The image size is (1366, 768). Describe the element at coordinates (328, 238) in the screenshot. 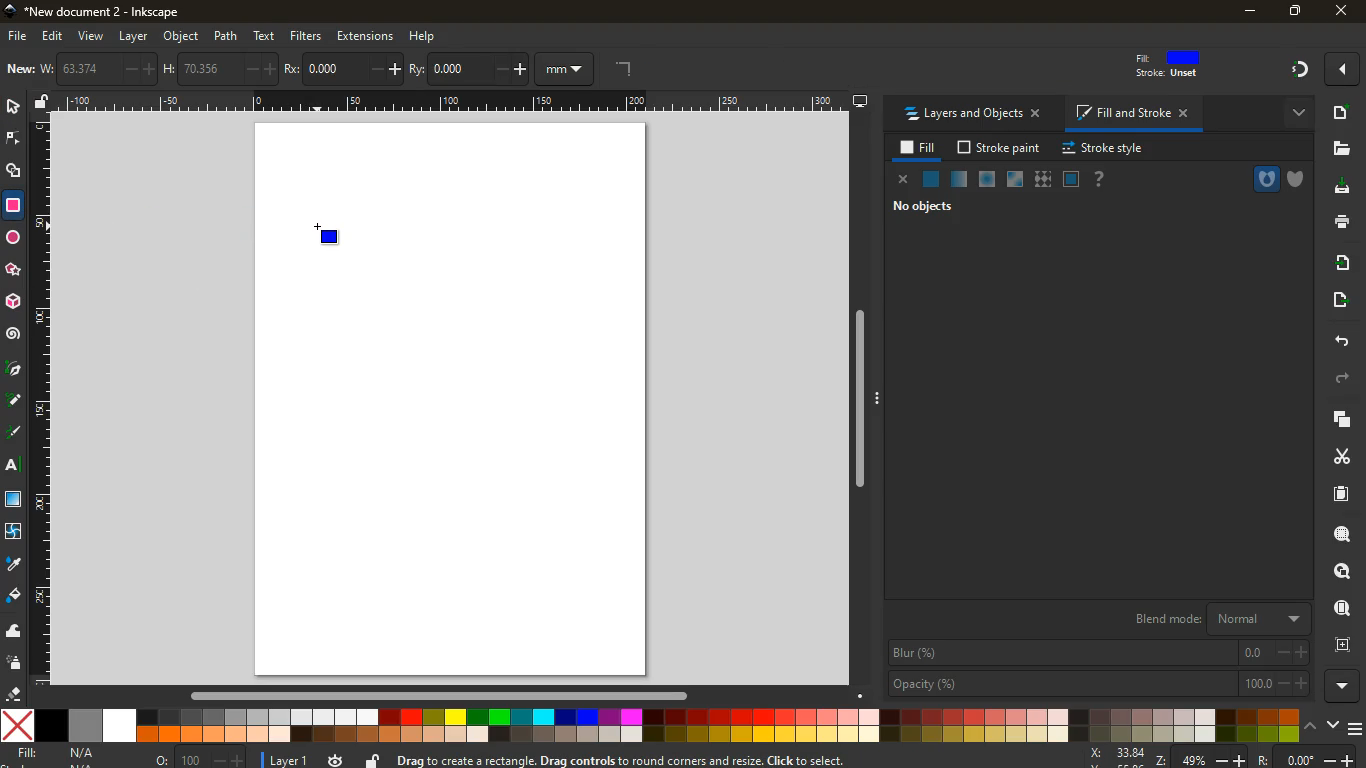

I see `retangle` at that location.